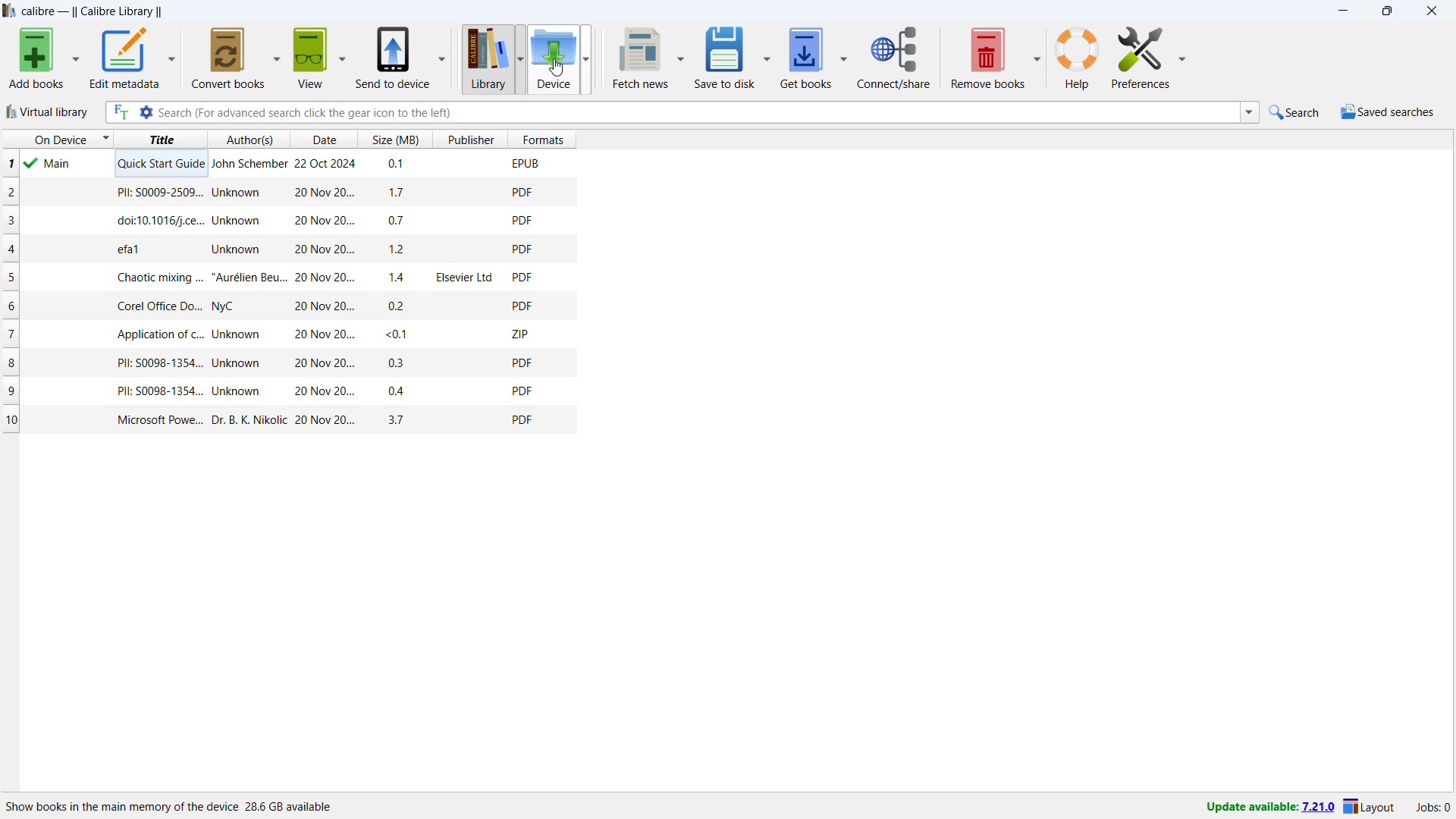 This screenshot has width=1456, height=819. What do you see at coordinates (48, 111) in the screenshot?
I see `virtual library` at bounding box center [48, 111].